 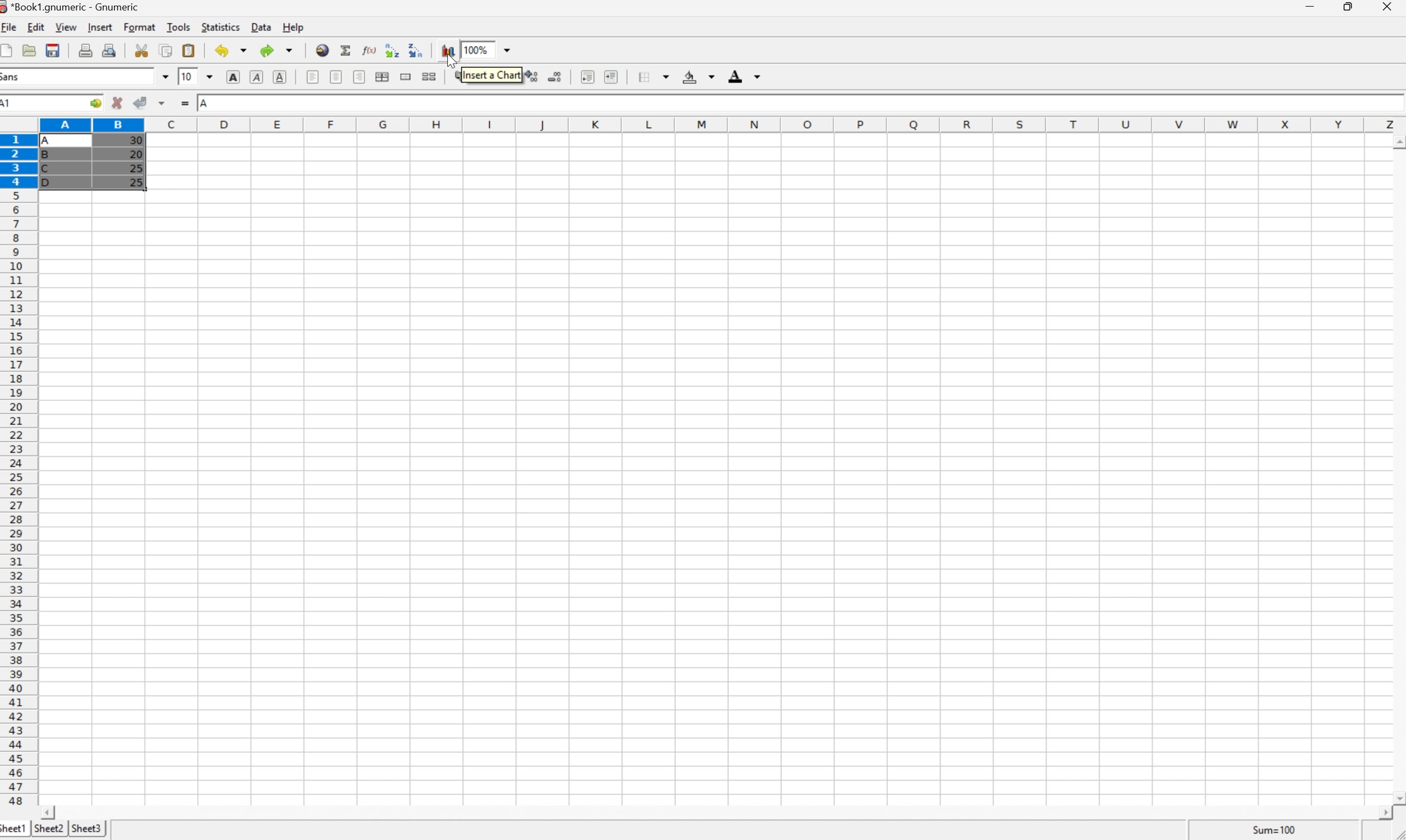 I want to click on Format, so click(x=140, y=28).